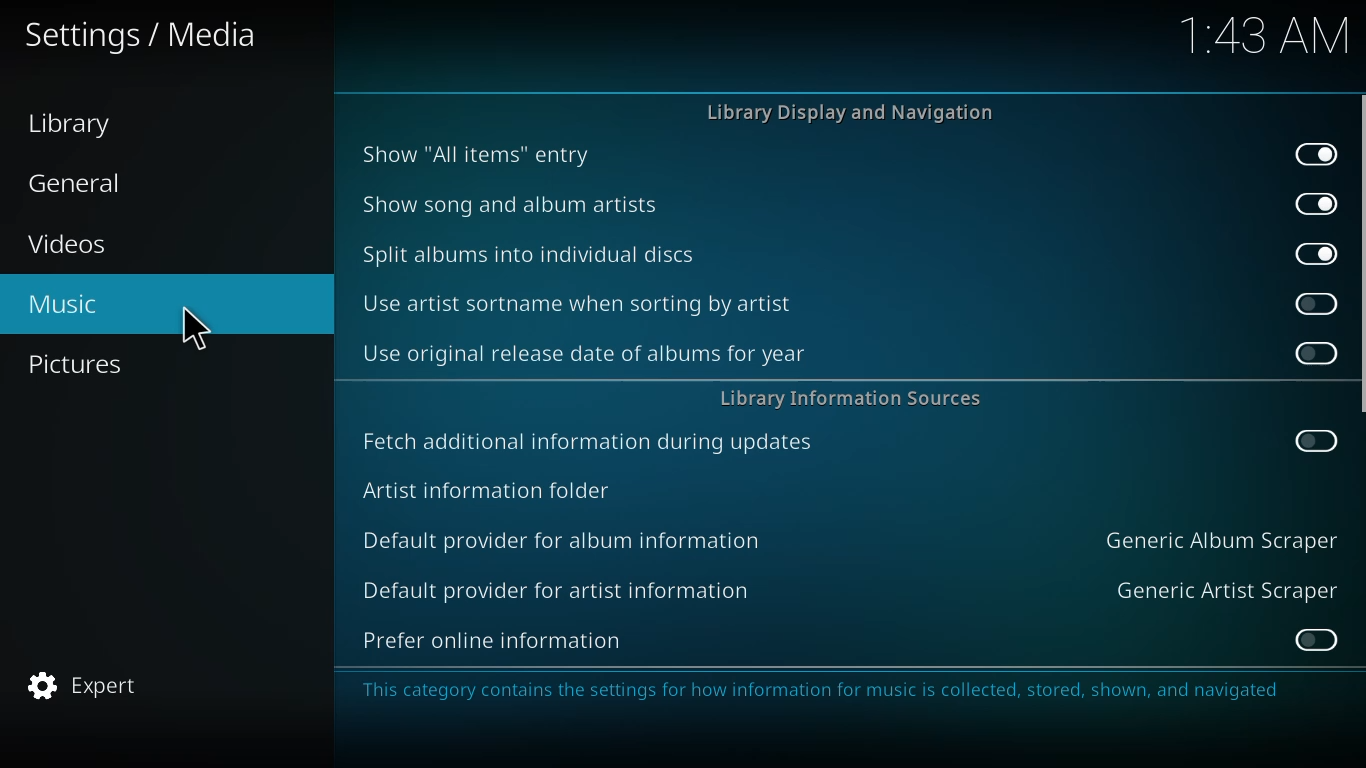  What do you see at coordinates (592, 442) in the screenshot?
I see `fetch additional info` at bounding box center [592, 442].